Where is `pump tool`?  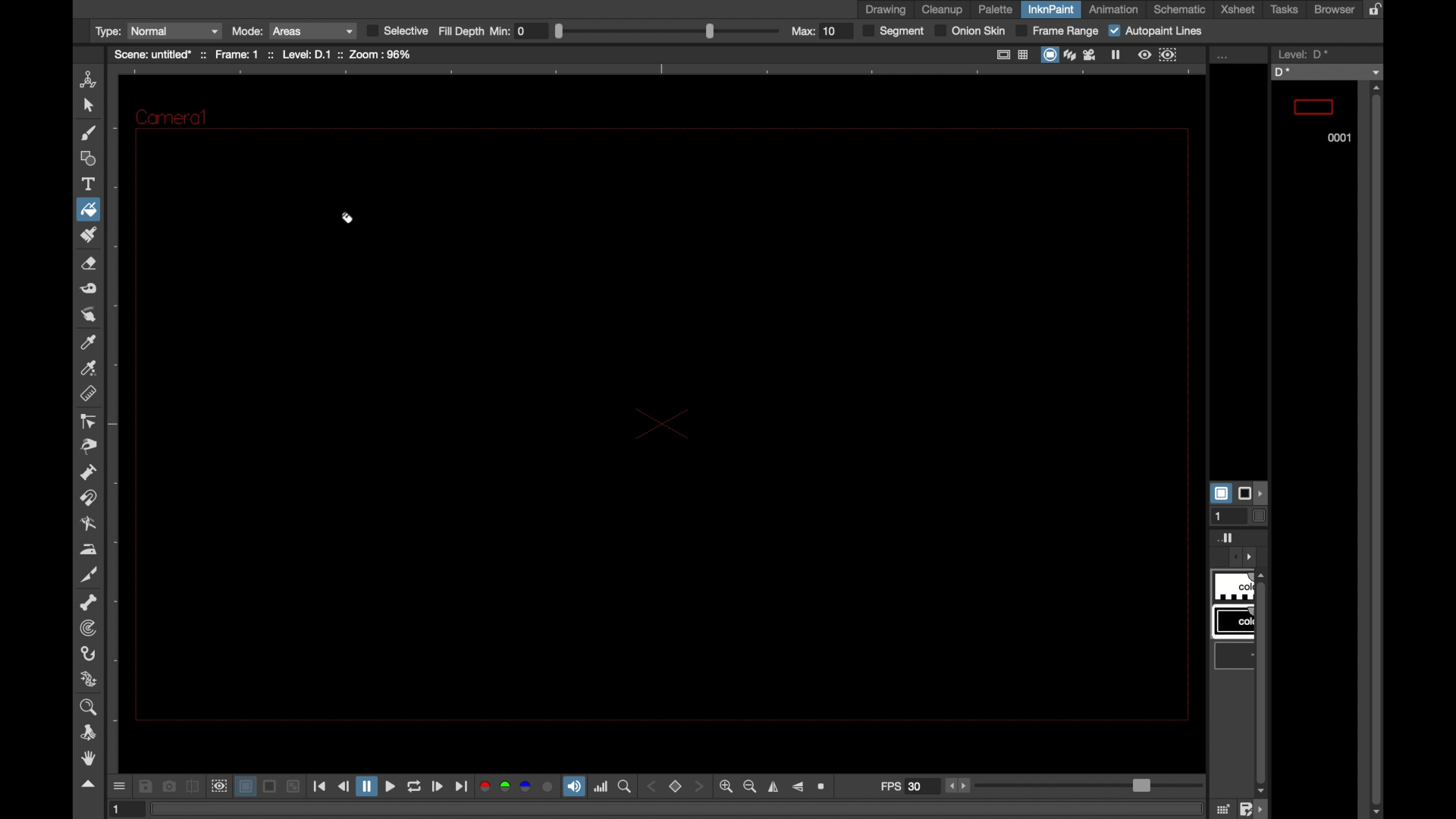
pump tool is located at coordinates (87, 472).